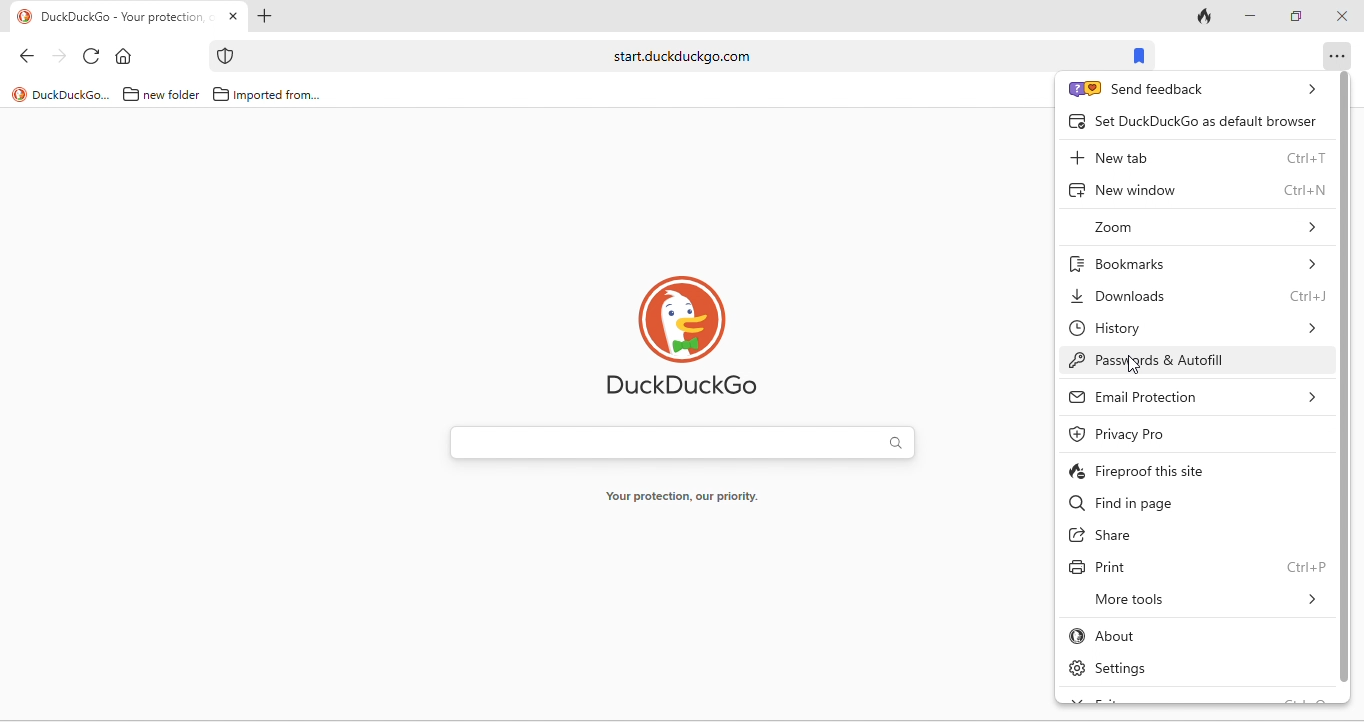 The height and width of the screenshot is (722, 1364). What do you see at coordinates (1310, 297) in the screenshot?
I see `Ctrl + J` at bounding box center [1310, 297].